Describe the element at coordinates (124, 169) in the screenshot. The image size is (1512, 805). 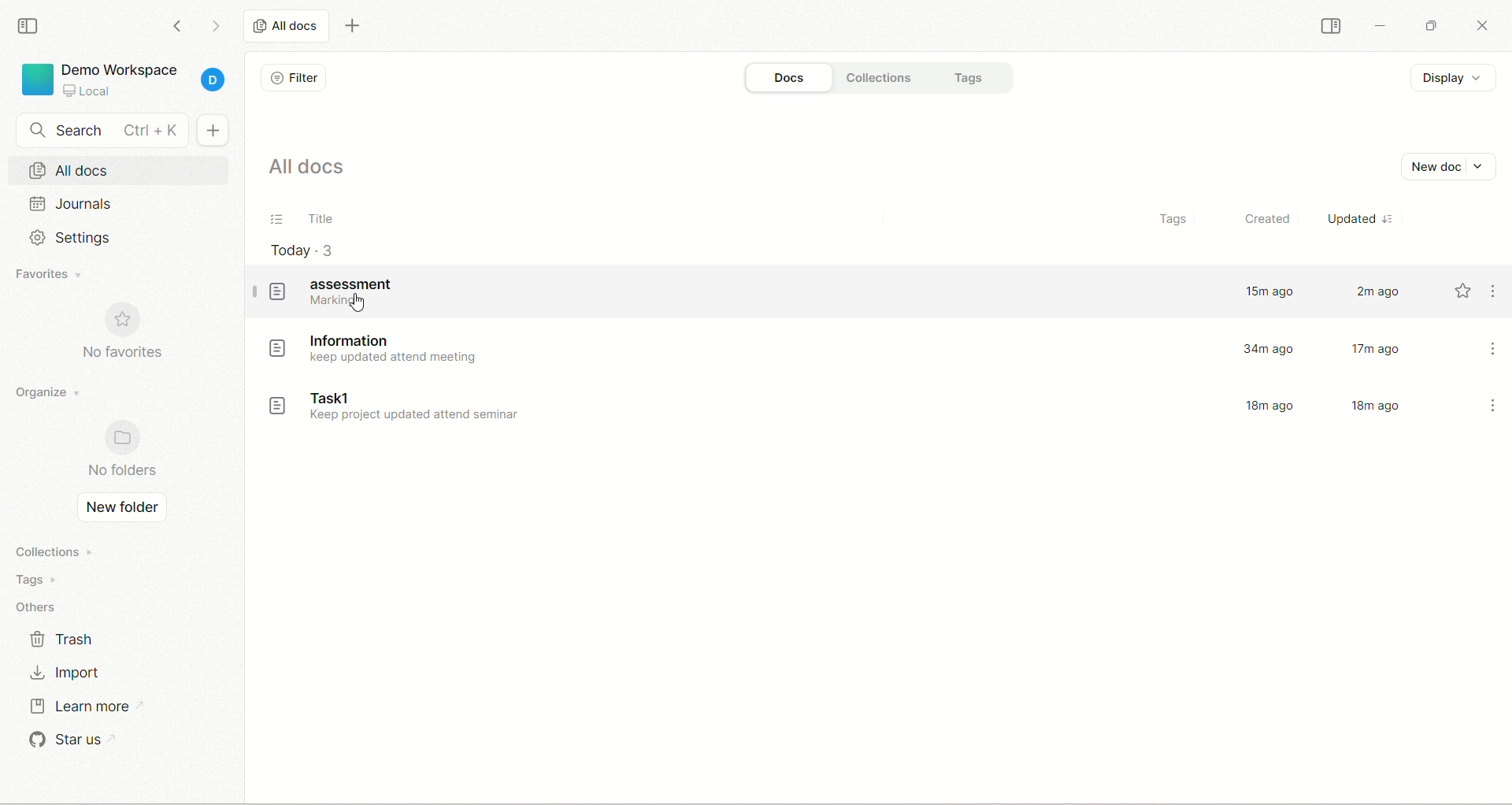
I see `all docs` at that location.